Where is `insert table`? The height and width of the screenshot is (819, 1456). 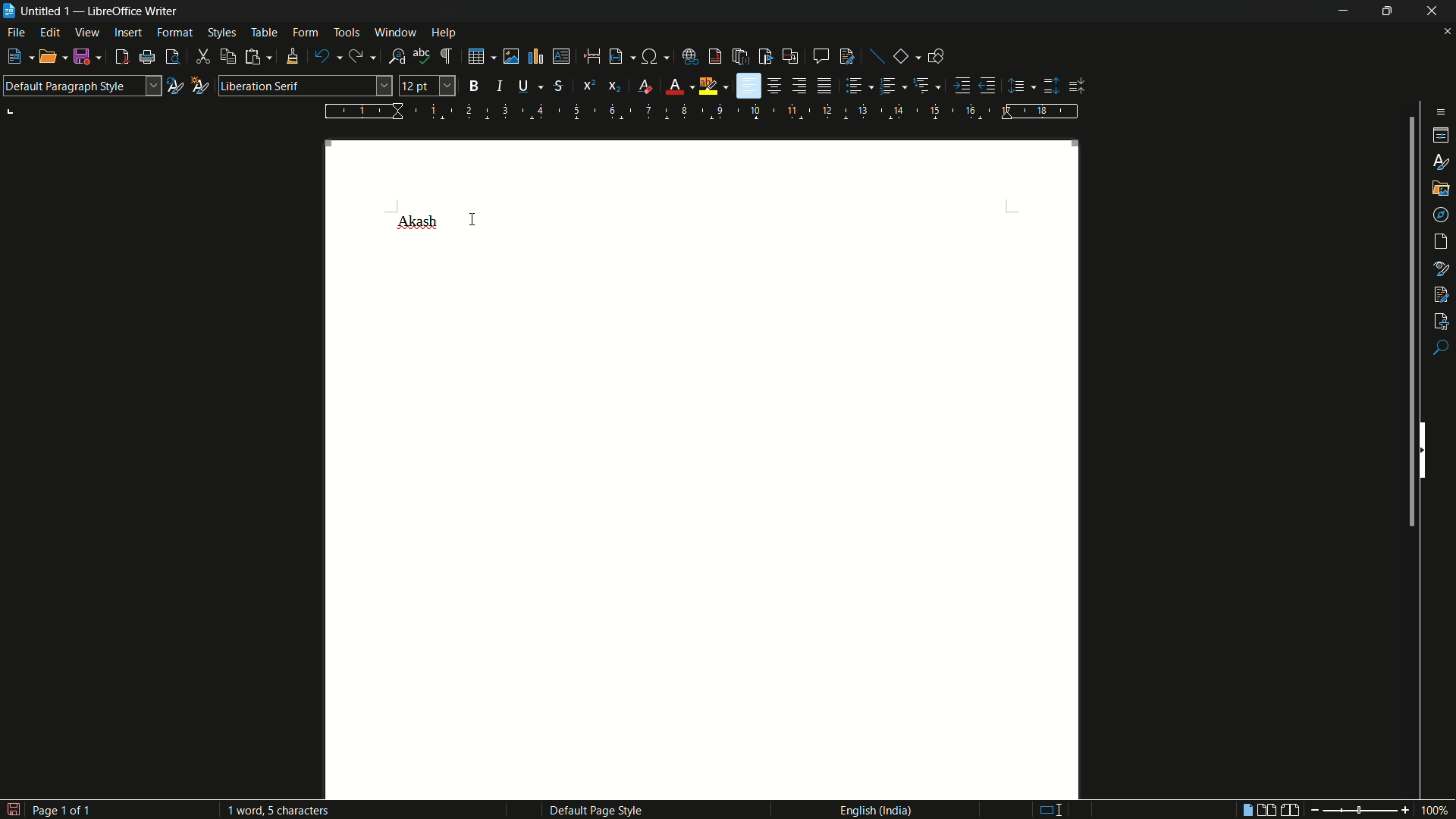 insert table is located at coordinates (476, 56).